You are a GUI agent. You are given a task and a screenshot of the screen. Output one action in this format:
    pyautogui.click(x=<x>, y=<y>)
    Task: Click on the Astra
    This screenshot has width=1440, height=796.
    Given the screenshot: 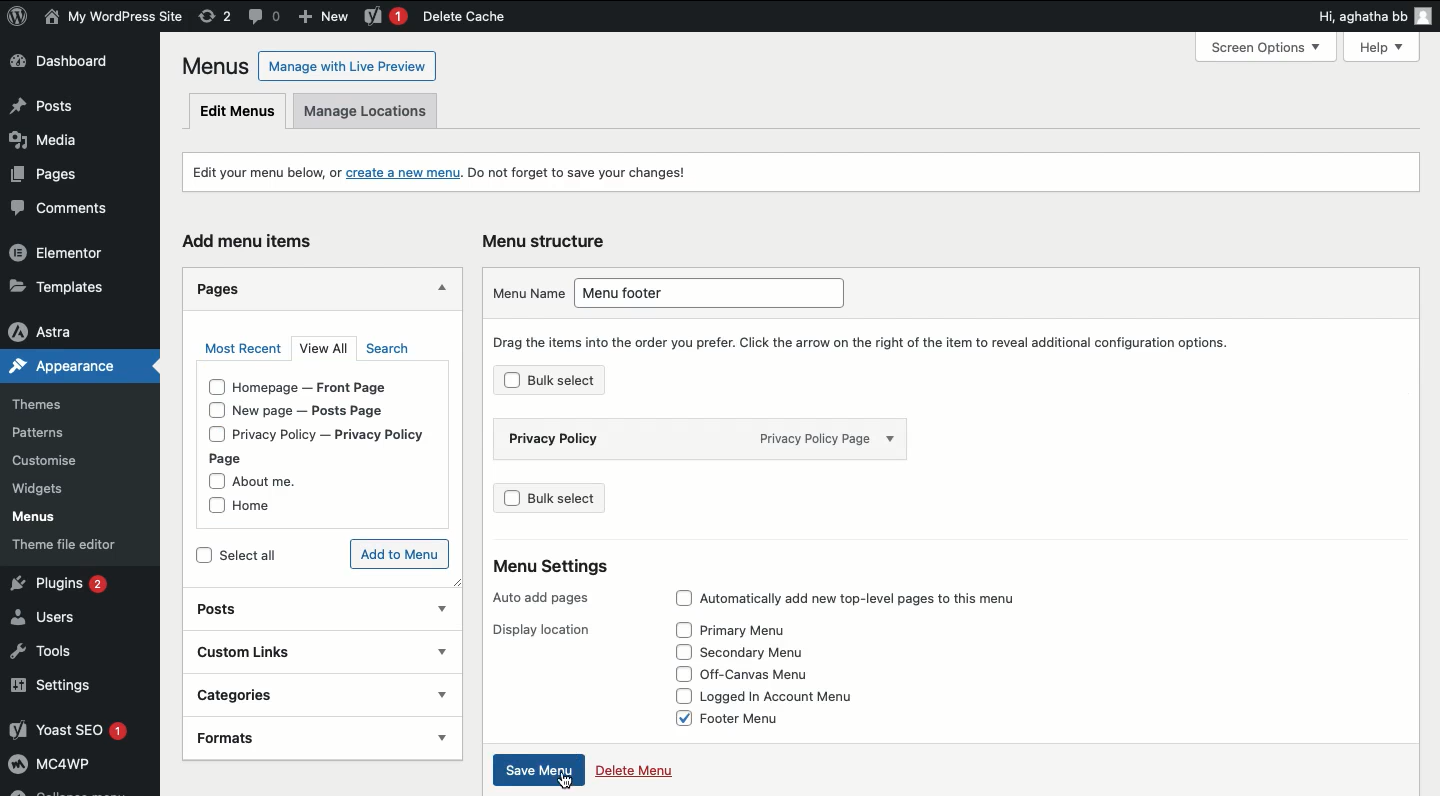 What is the action you would take?
    pyautogui.click(x=71, y=331)
    